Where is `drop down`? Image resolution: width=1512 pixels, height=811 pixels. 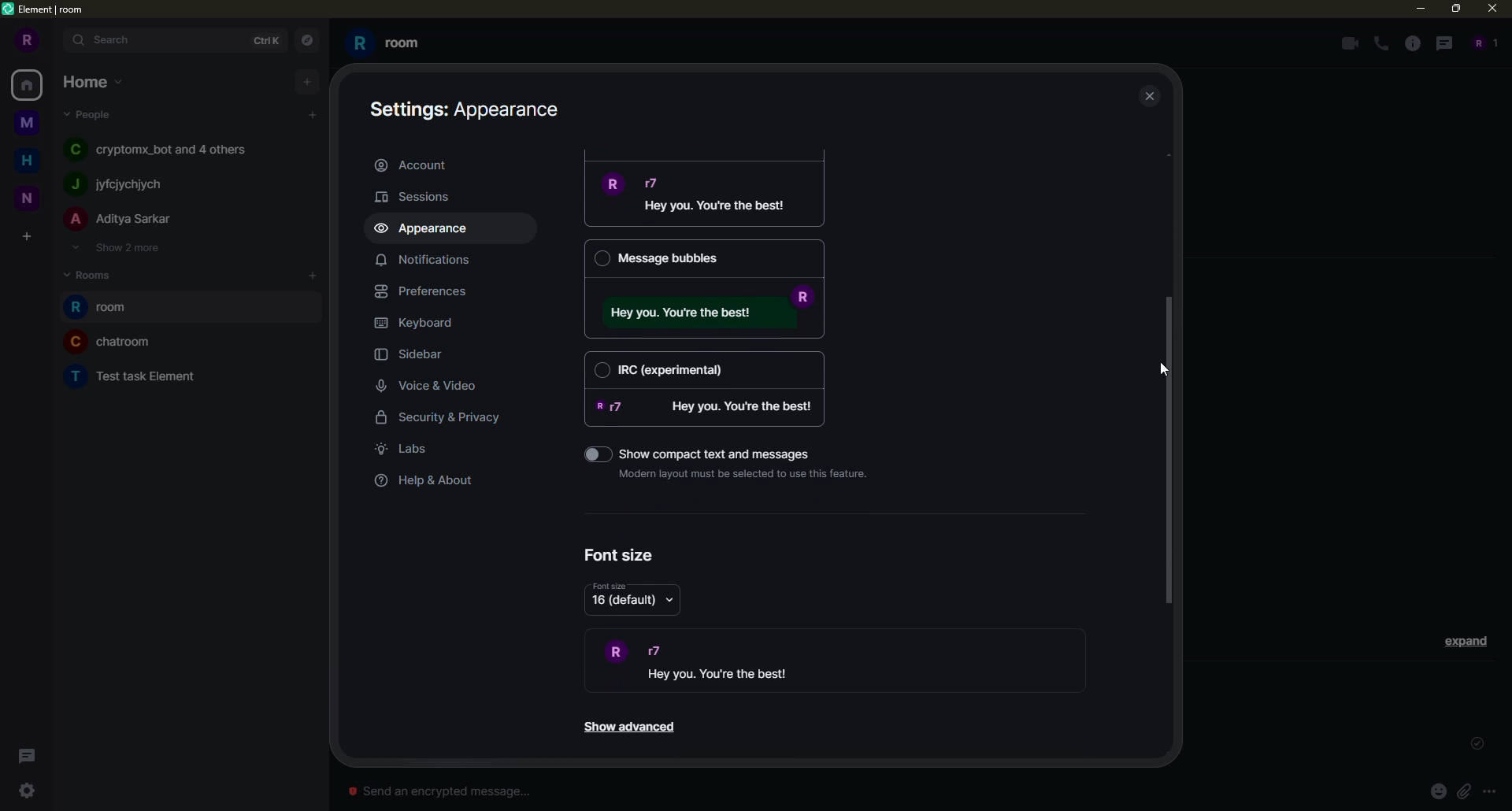
drop down is located at coordinates (671, 599).